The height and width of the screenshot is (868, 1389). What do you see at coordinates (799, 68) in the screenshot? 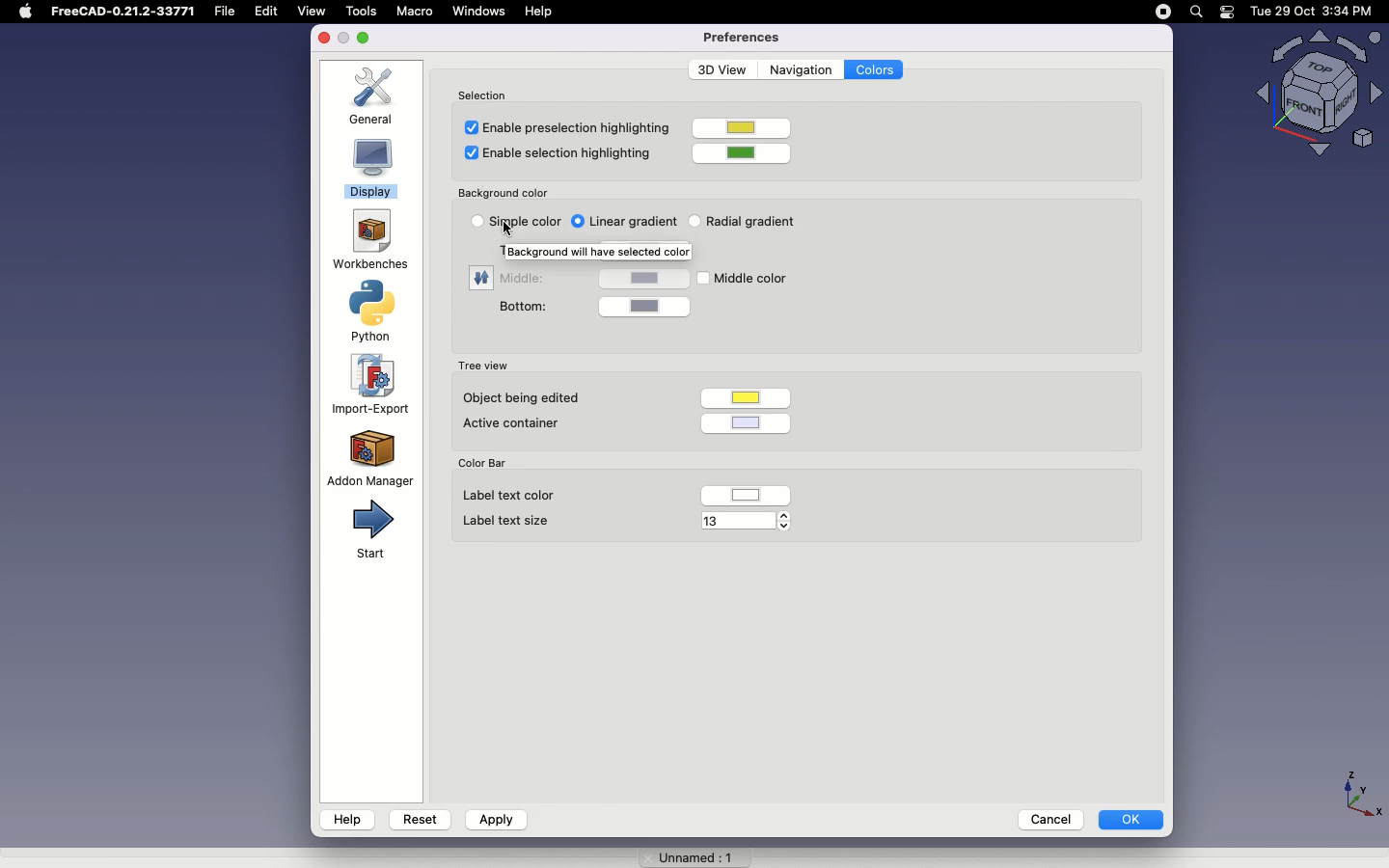
I see `Navigation |` at bounding box center [799, 68].